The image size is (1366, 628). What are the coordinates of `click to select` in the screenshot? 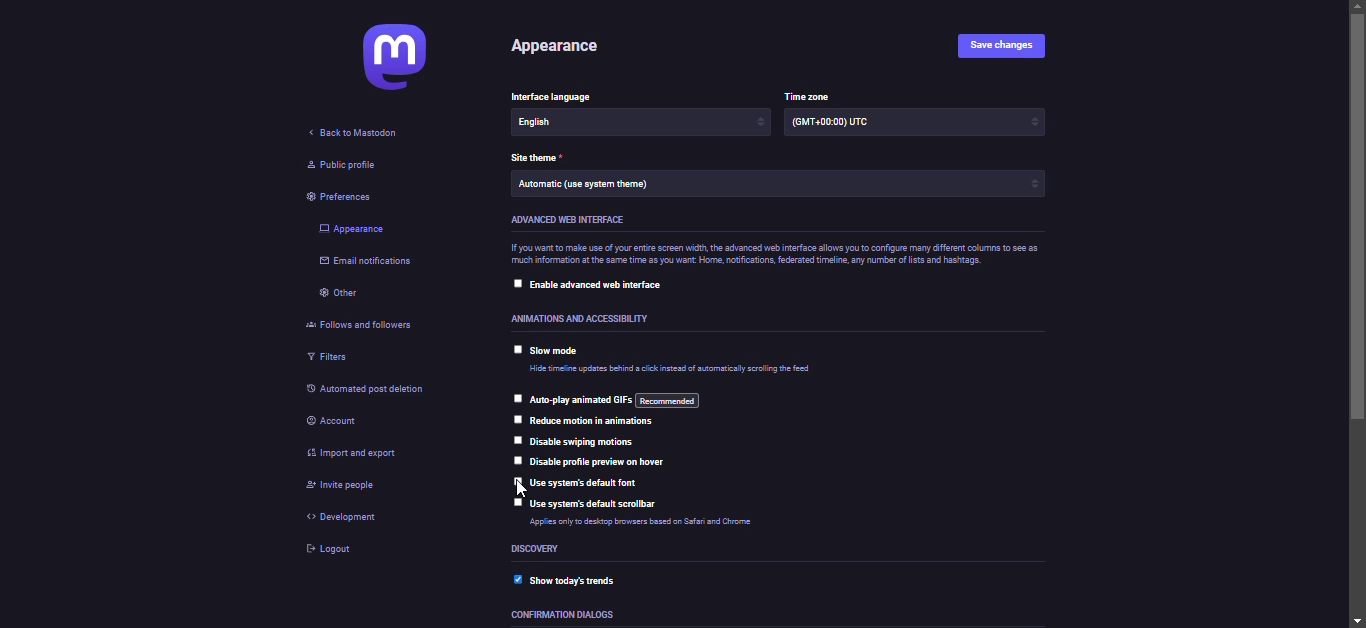 It's located at (518, 503).